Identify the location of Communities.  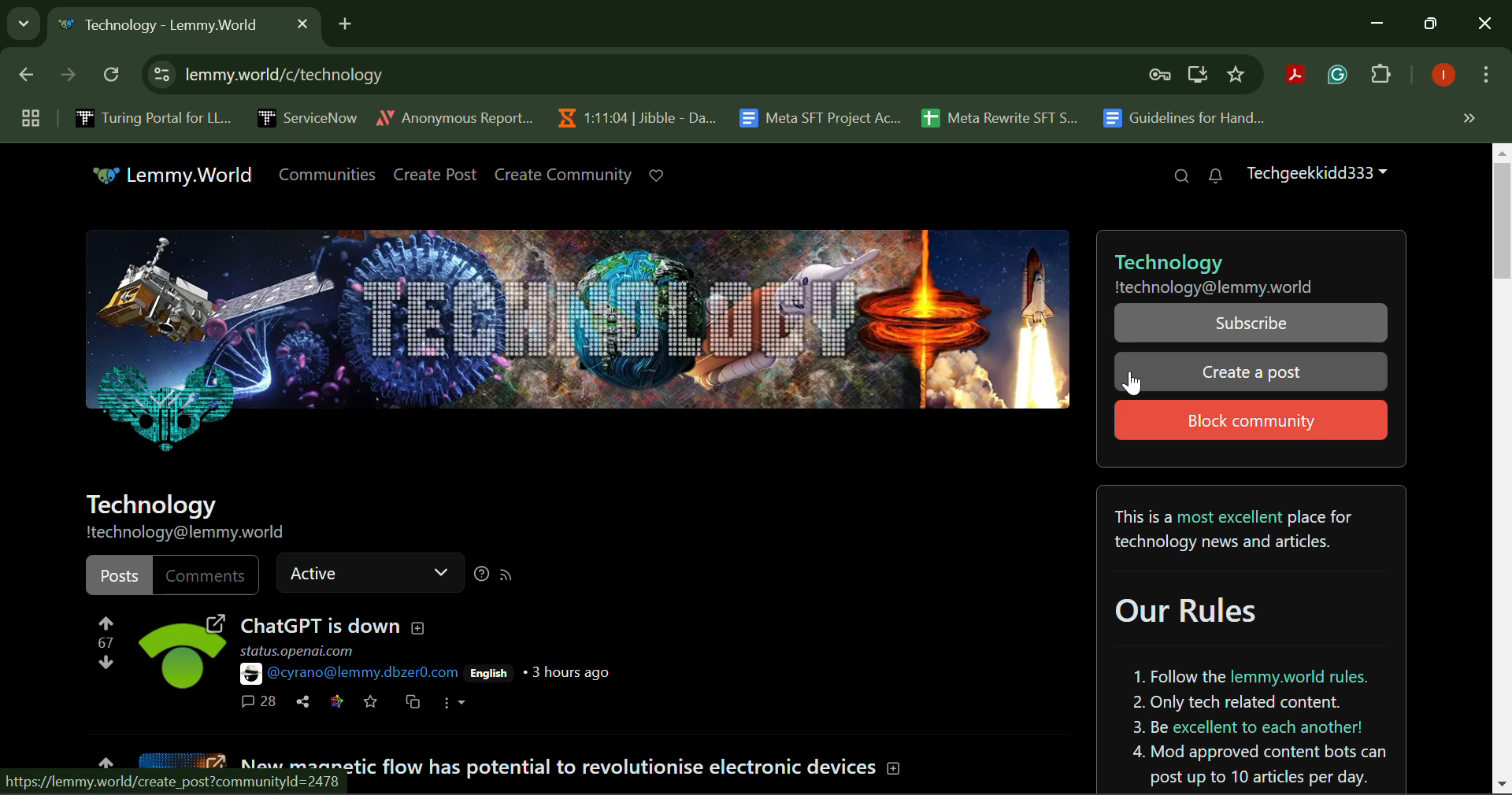
(331, 175).